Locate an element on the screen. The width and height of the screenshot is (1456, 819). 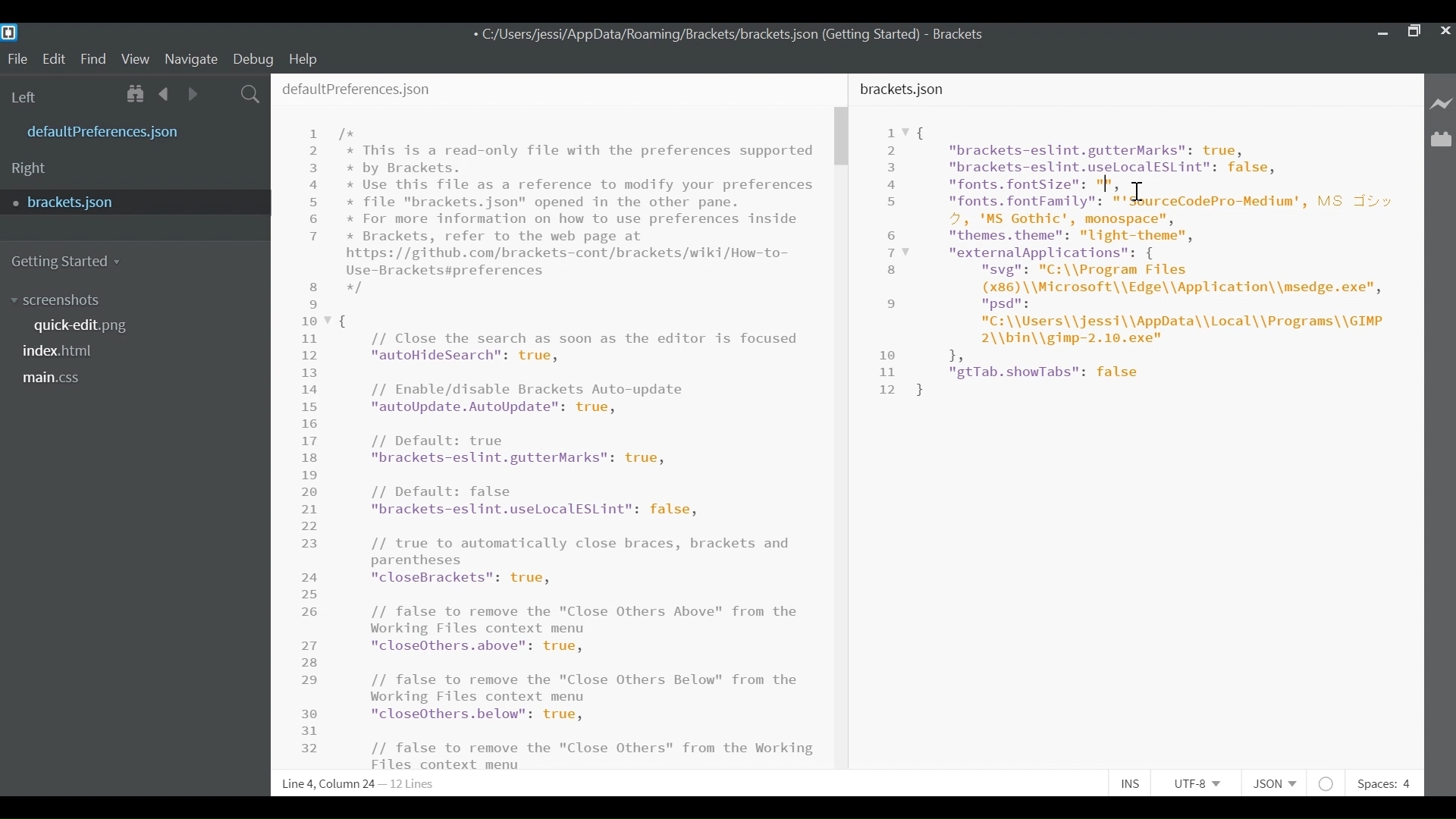
Spaces: 4 is located at coordinates (1382, 783).